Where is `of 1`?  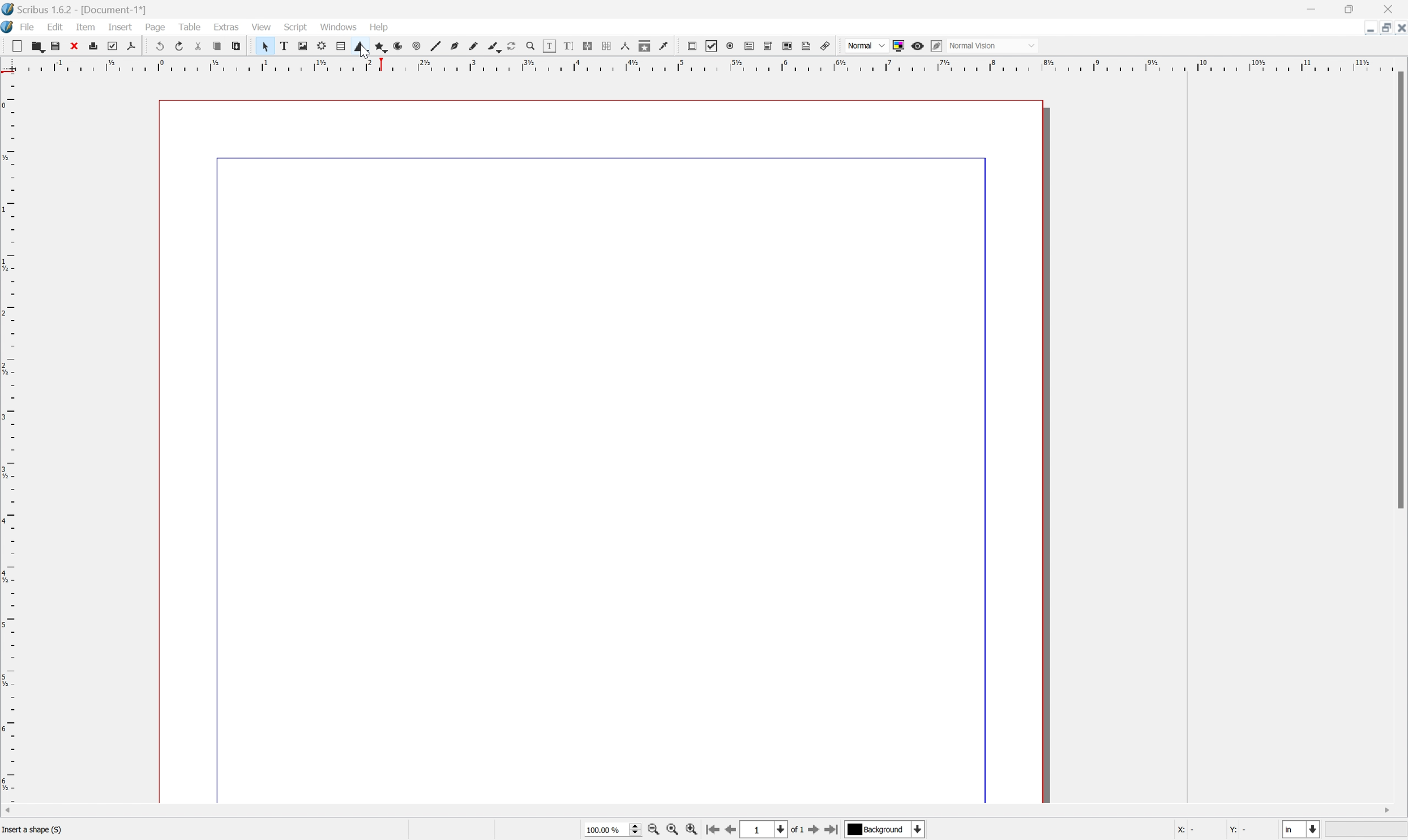 of 1 is located at coordinates (798, 830).